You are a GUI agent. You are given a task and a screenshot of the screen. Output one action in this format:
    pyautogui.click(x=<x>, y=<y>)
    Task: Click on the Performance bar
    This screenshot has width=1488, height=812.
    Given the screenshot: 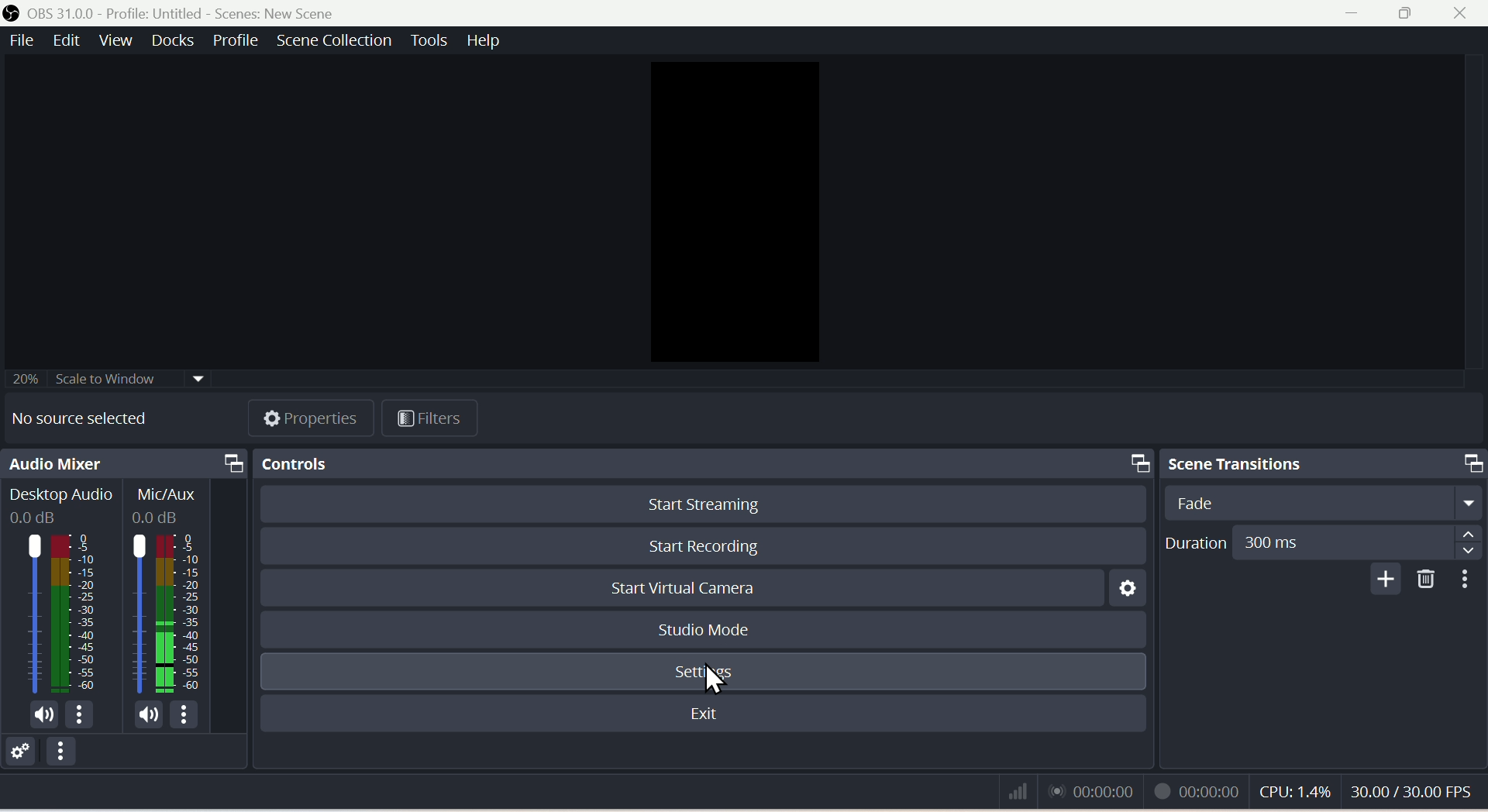 What is the action you would take?
    pyautogui.click(x=1245, y=790)
    